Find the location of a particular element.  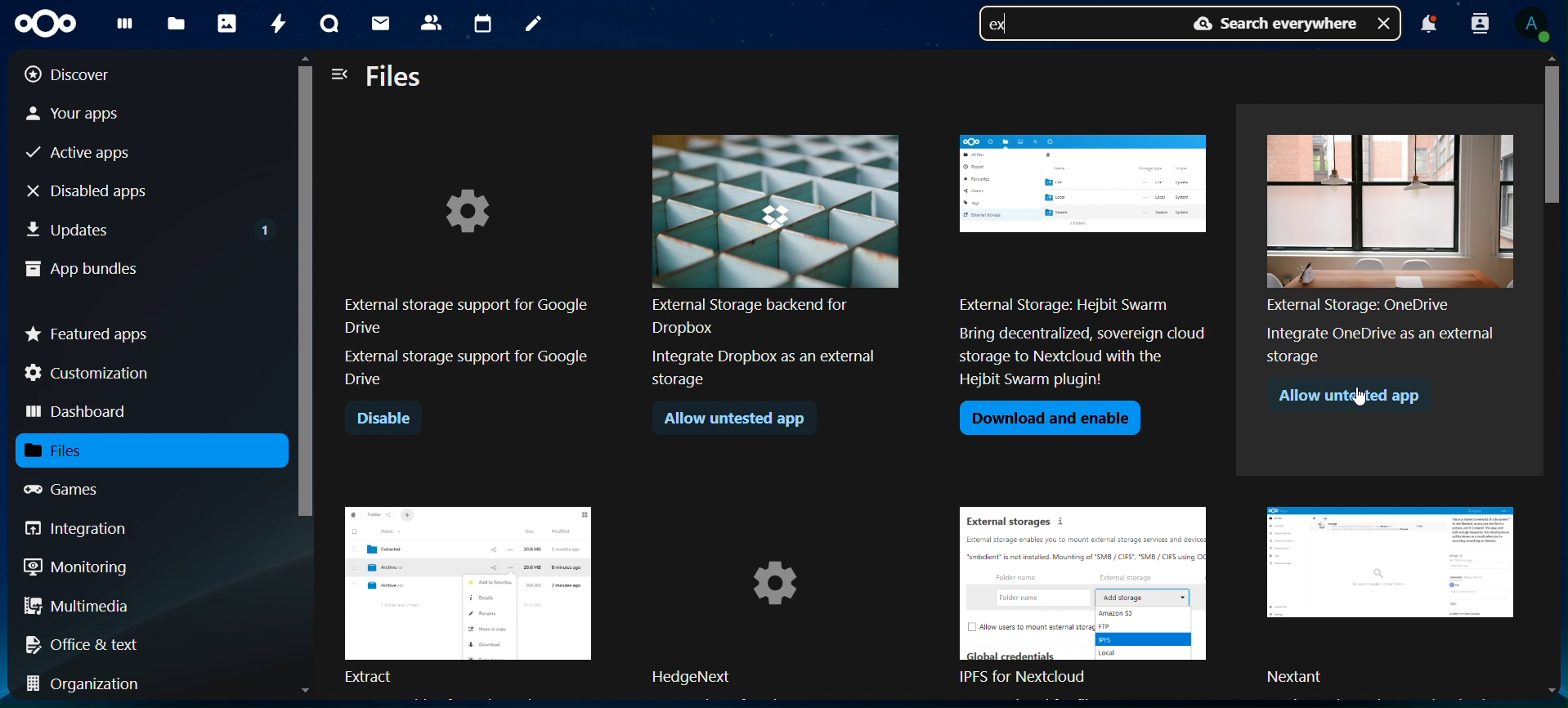

talk is located at coordinates (326, 25).